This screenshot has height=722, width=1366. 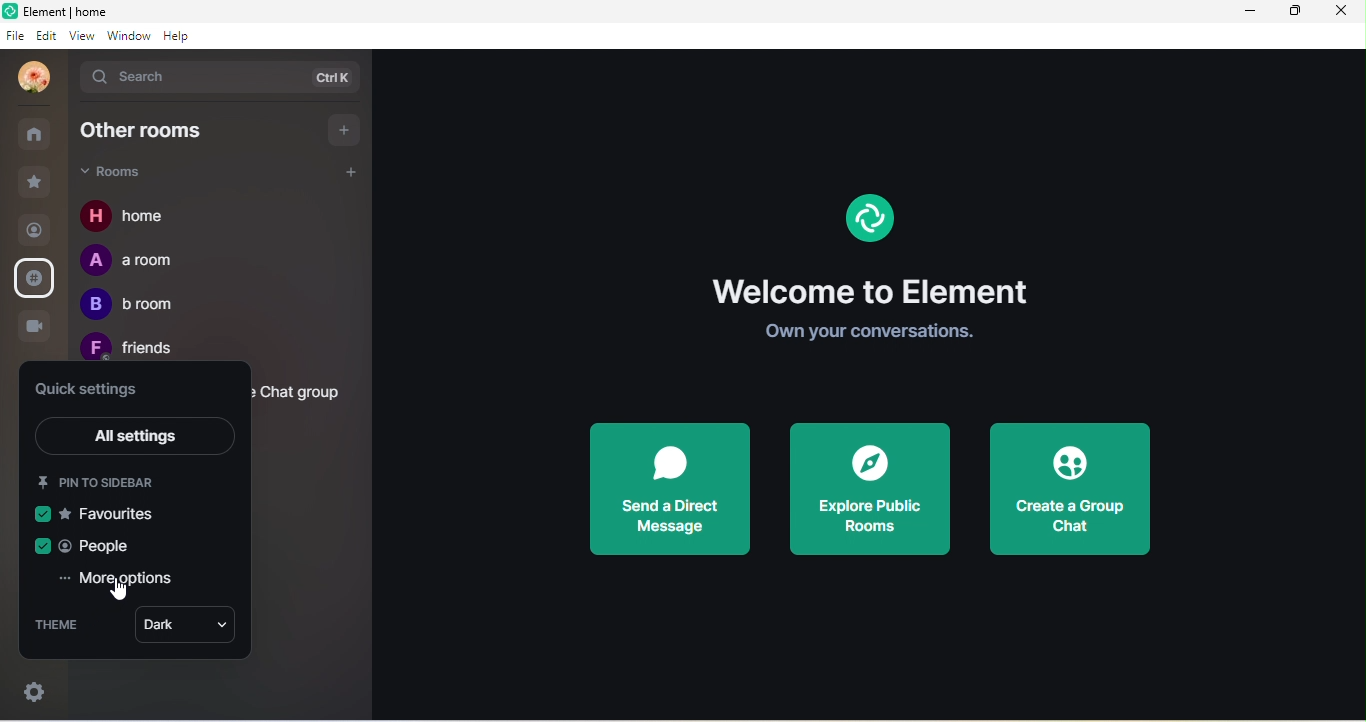 What do you see at coordinates (35, 325) in the screenshot?
I see `video call` at bounding box center [35, 325].